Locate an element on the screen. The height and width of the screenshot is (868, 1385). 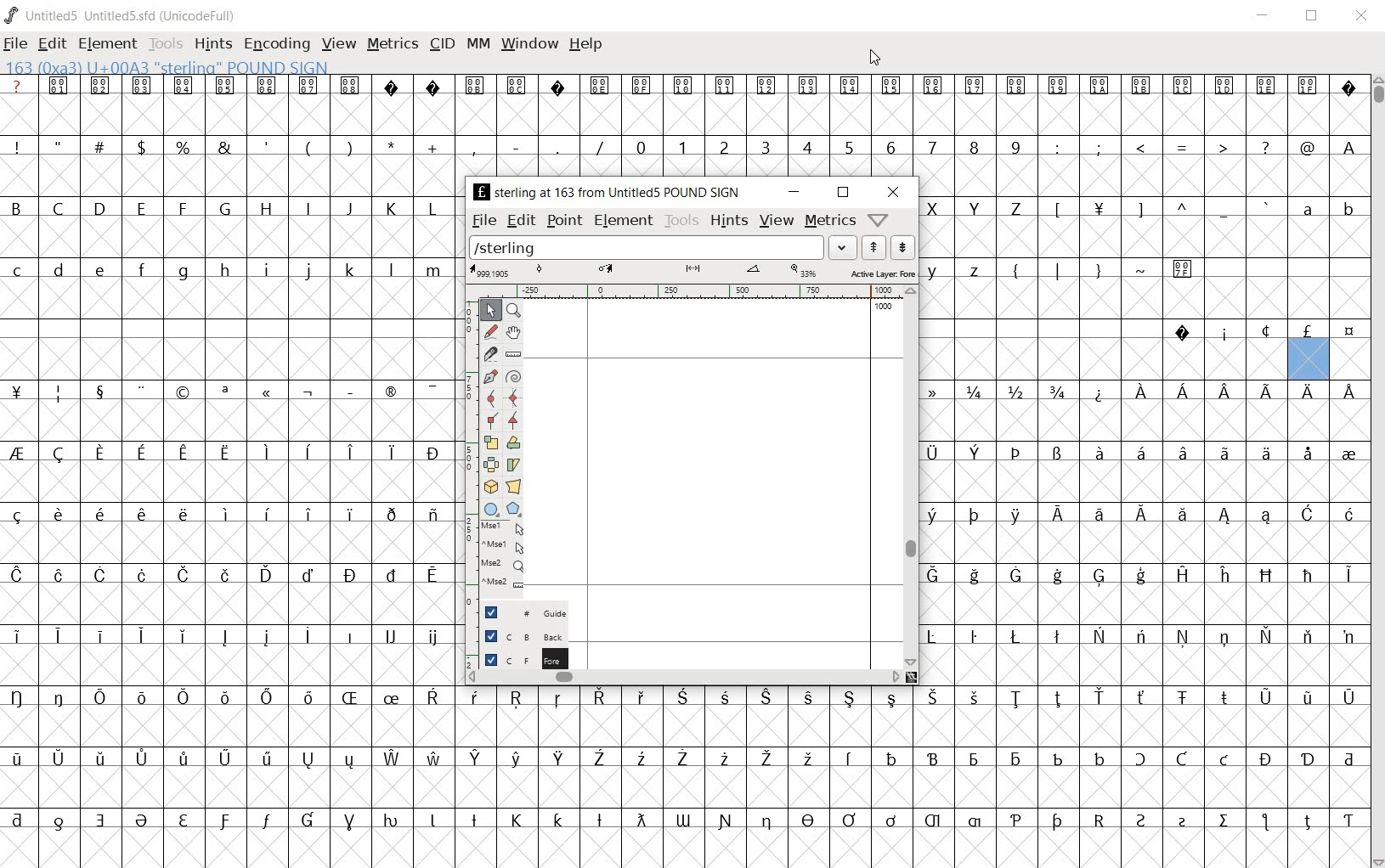
Symbol is located at coordinates (1348, 758).